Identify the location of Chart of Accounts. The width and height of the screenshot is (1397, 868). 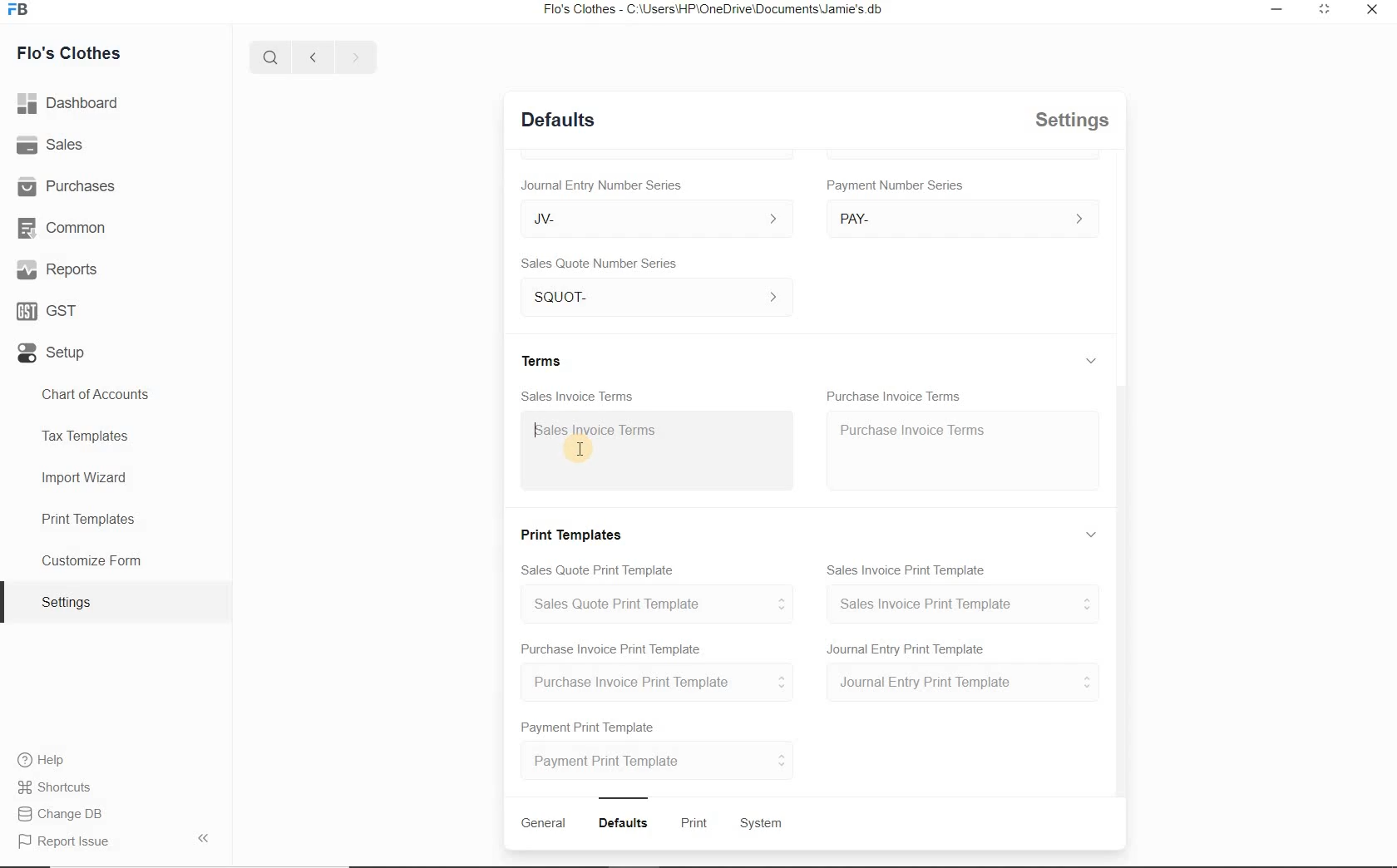
(96, 393).